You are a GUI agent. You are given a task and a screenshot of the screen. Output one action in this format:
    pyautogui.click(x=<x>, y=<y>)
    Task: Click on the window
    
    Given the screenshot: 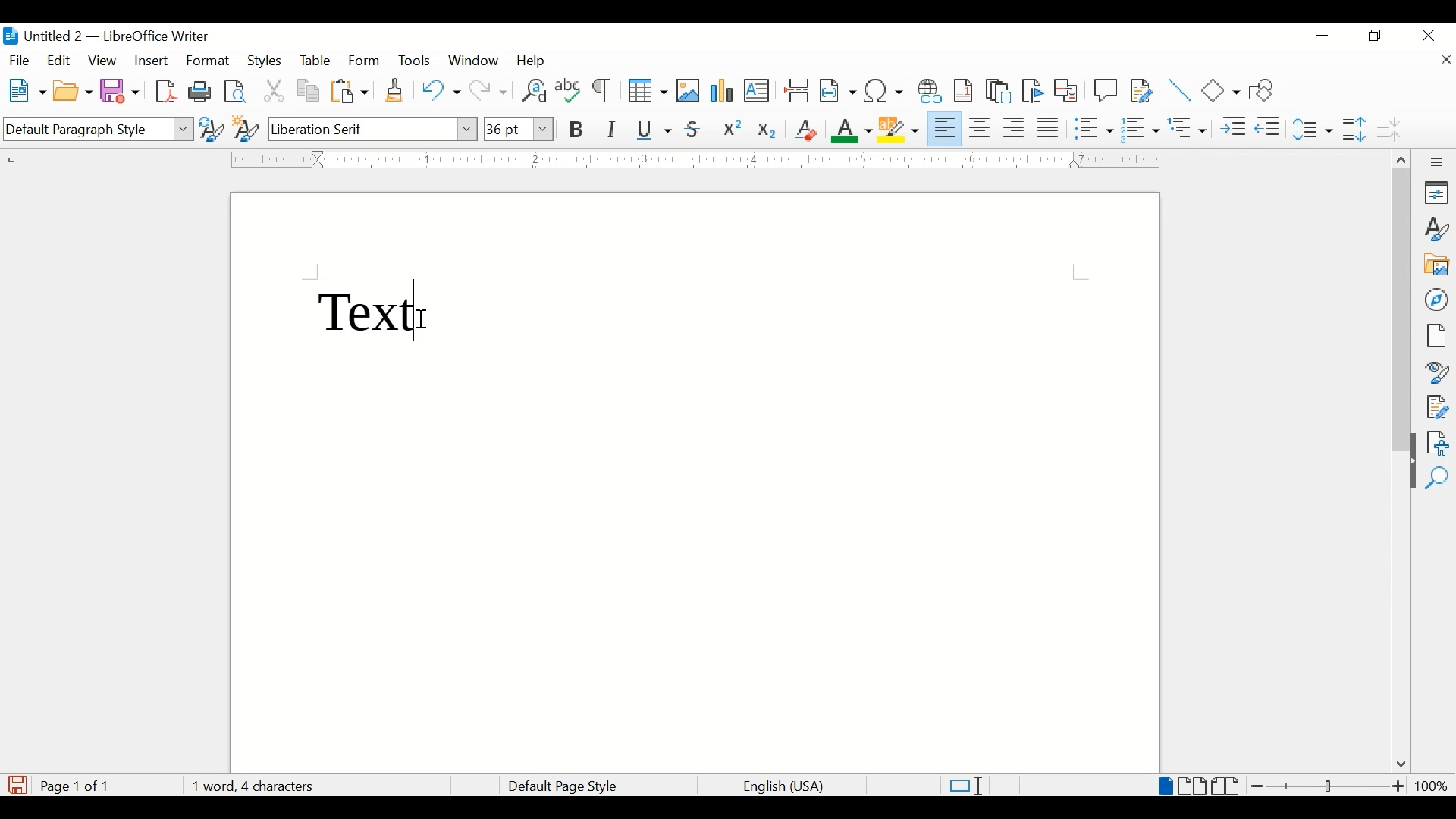 What is the action you would take?
    pyautogui.click(x=475, y=61)
    